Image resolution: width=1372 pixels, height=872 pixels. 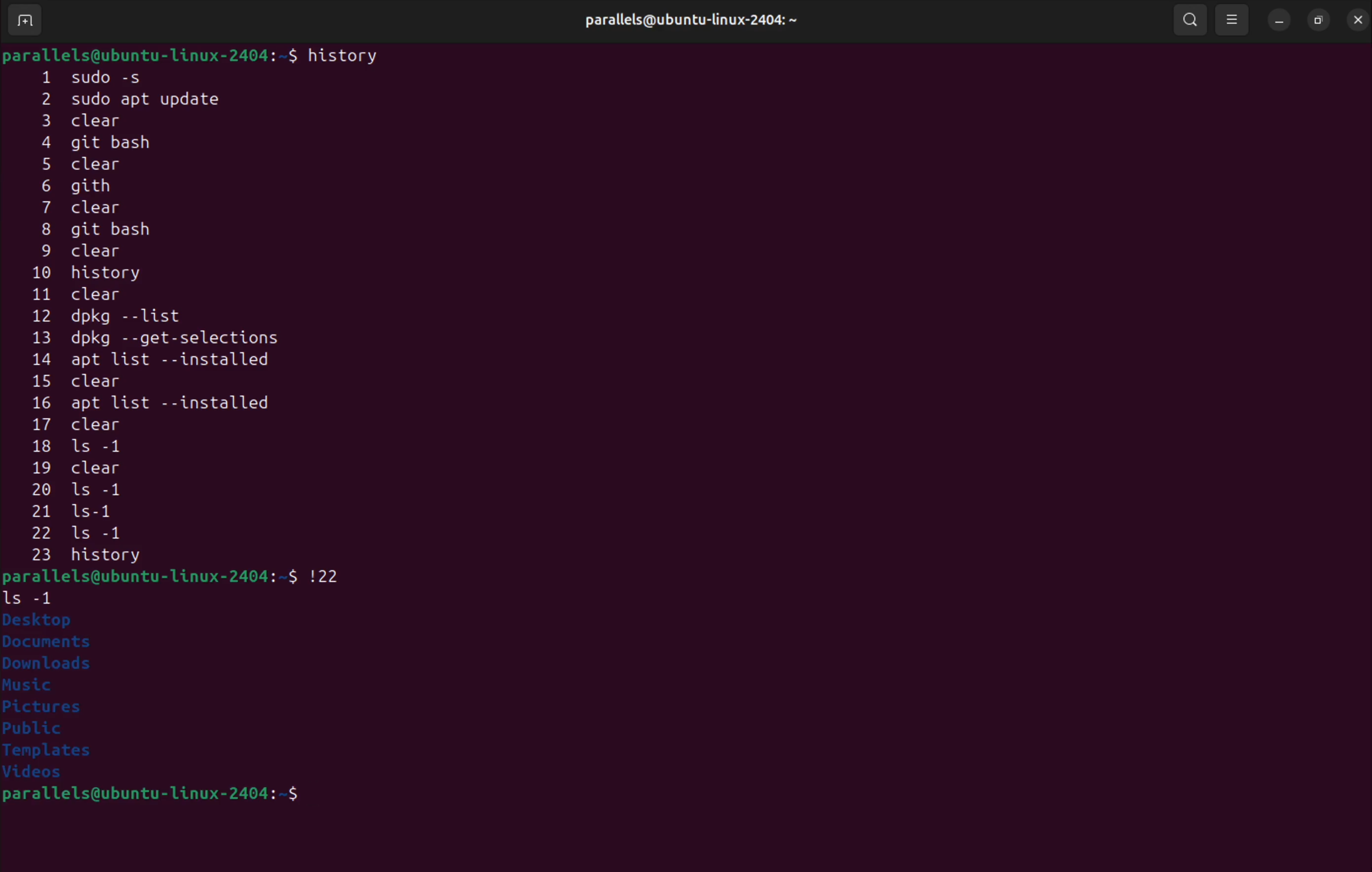 I want to click on 19 clear, so click(x=81, y=468).